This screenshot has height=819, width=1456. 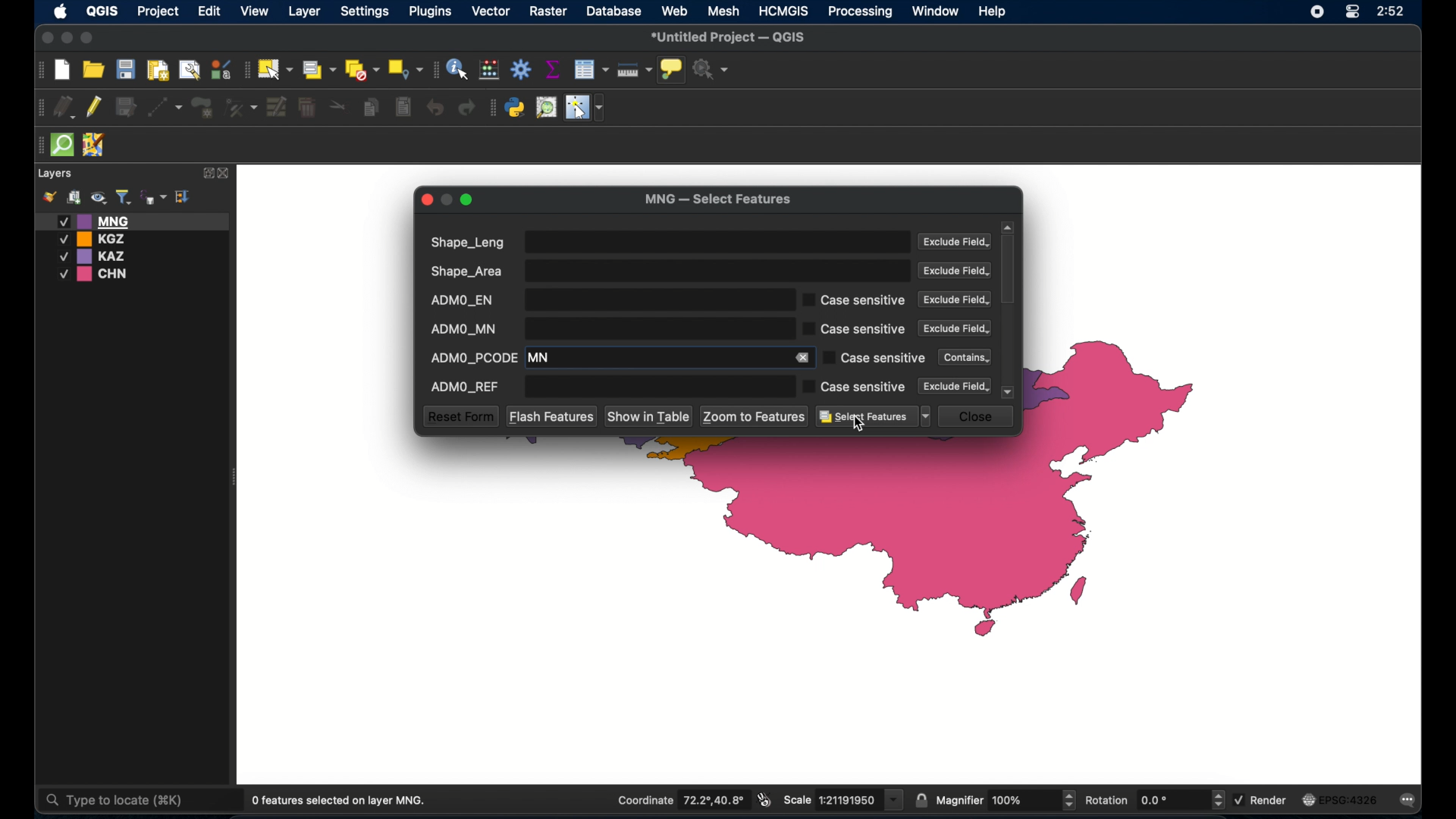 I want to click on exclude field, so click(x=955, y=271).